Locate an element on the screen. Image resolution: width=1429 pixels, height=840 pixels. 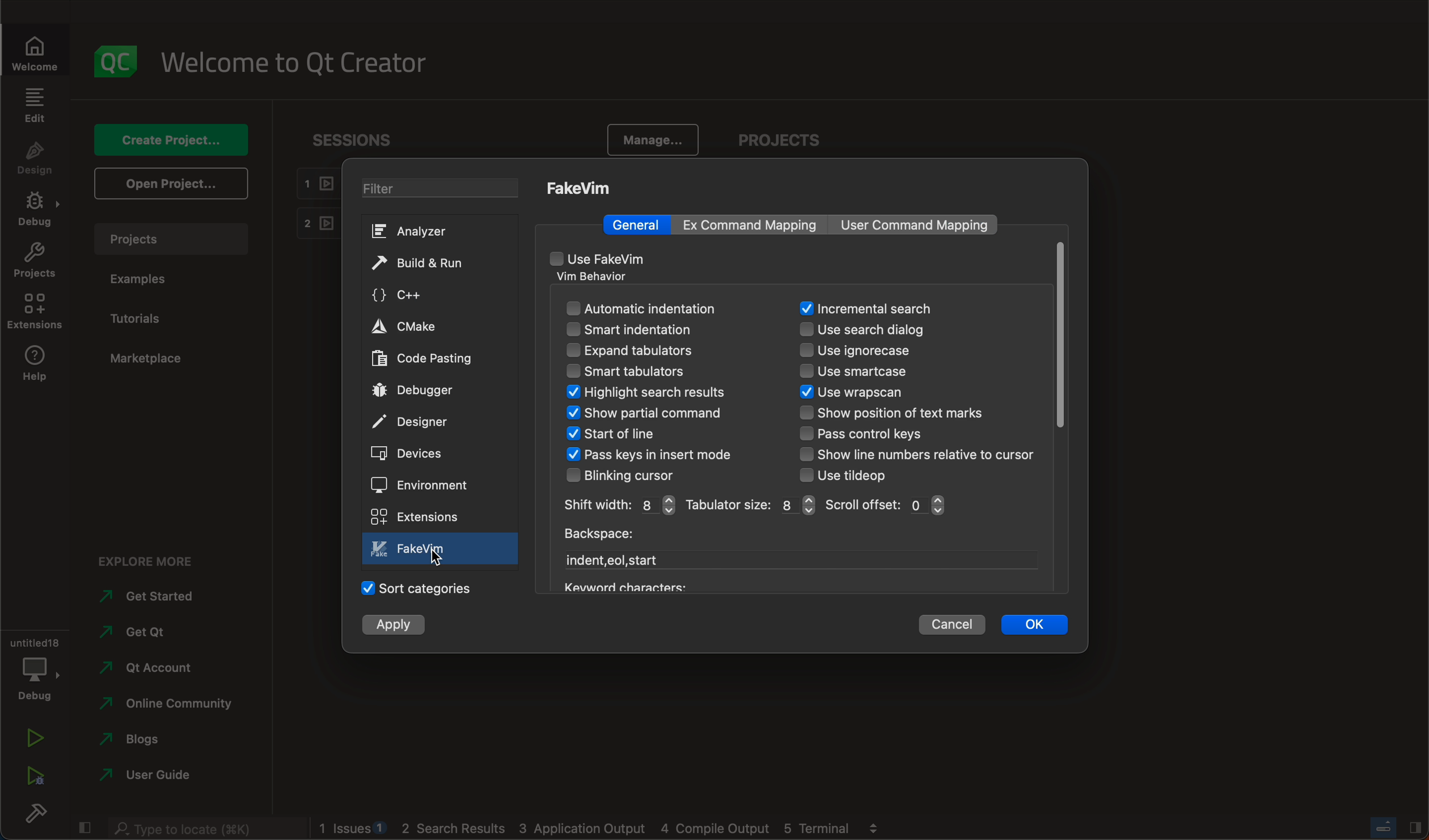
community is located at coordinates (168, 705).